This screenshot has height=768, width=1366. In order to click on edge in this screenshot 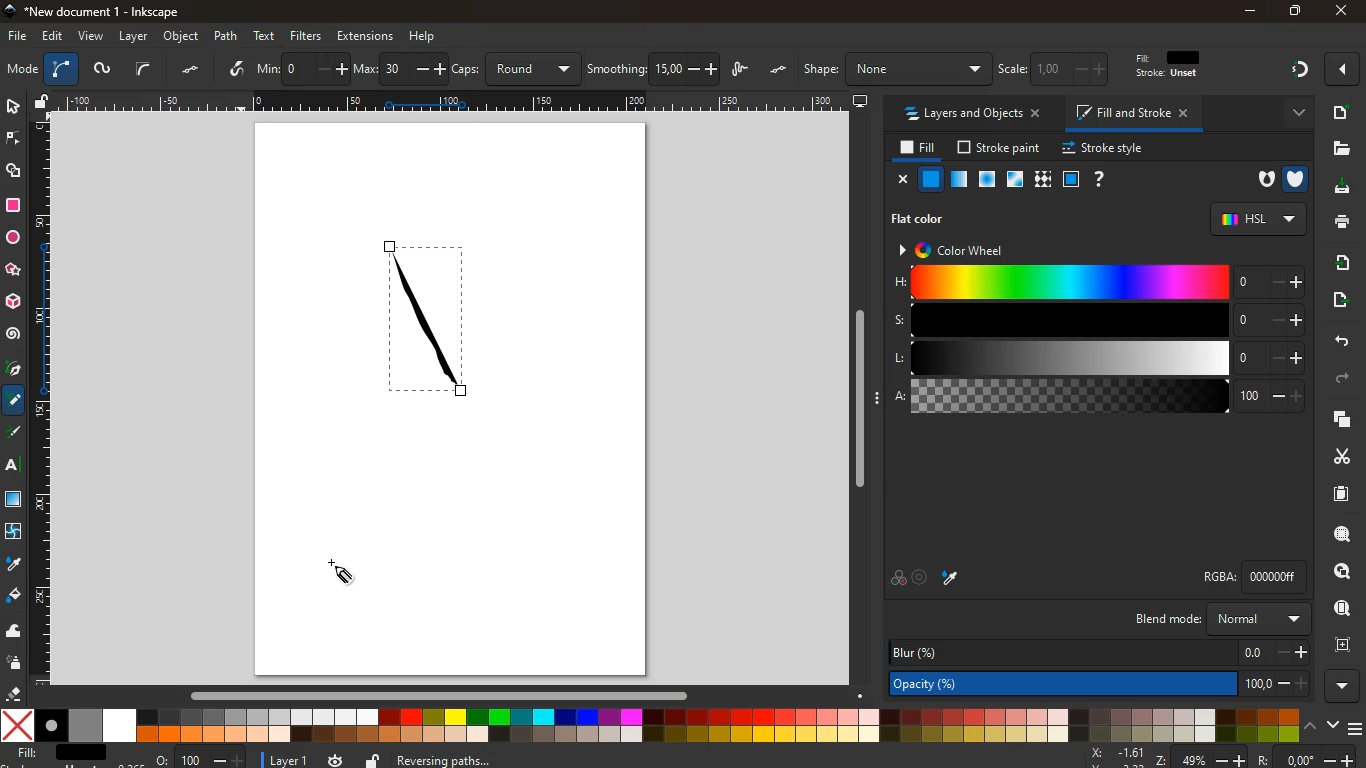, I will do `click(14, 142)`.